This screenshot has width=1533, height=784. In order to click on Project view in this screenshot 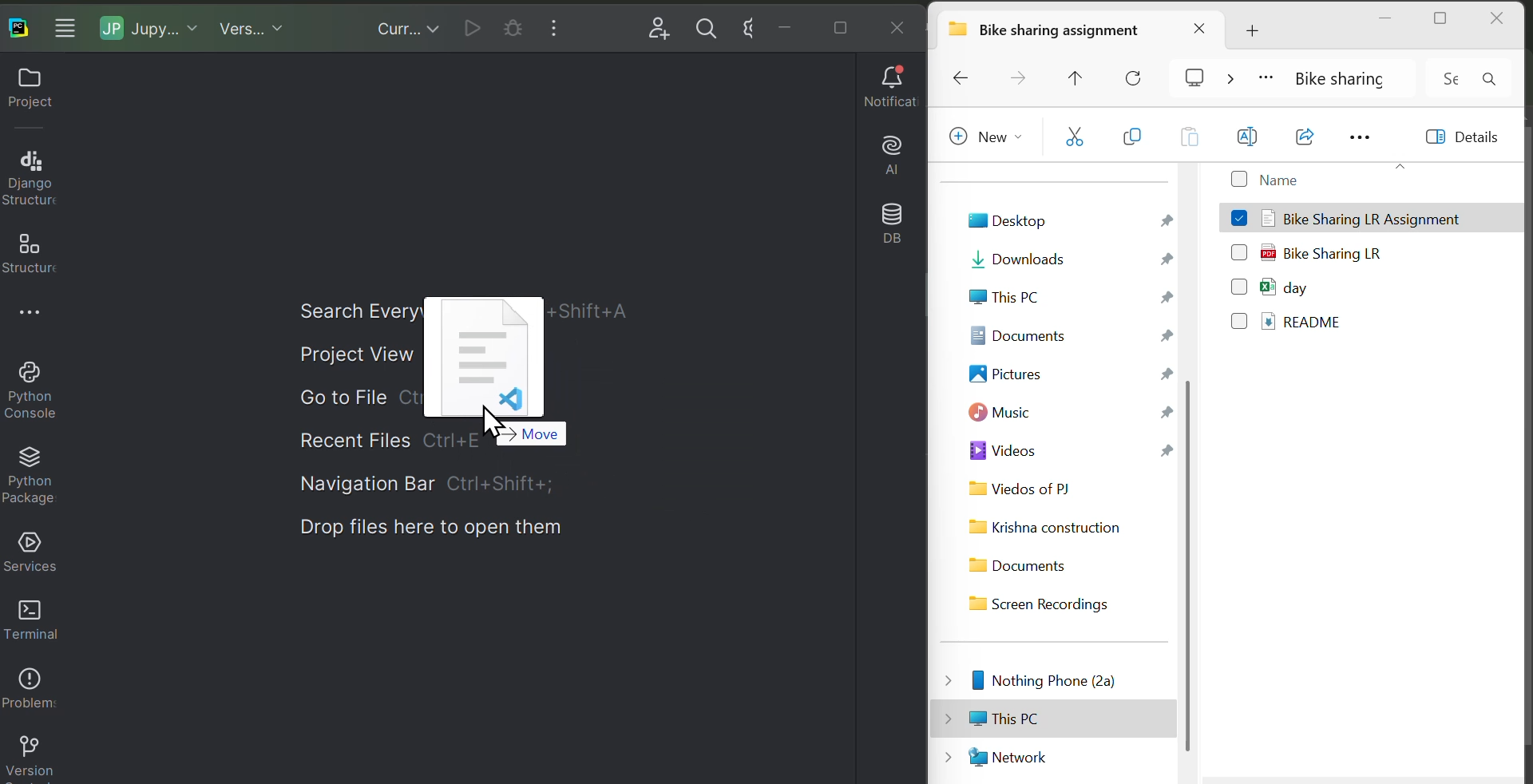, I will do `click(351, 354)`.